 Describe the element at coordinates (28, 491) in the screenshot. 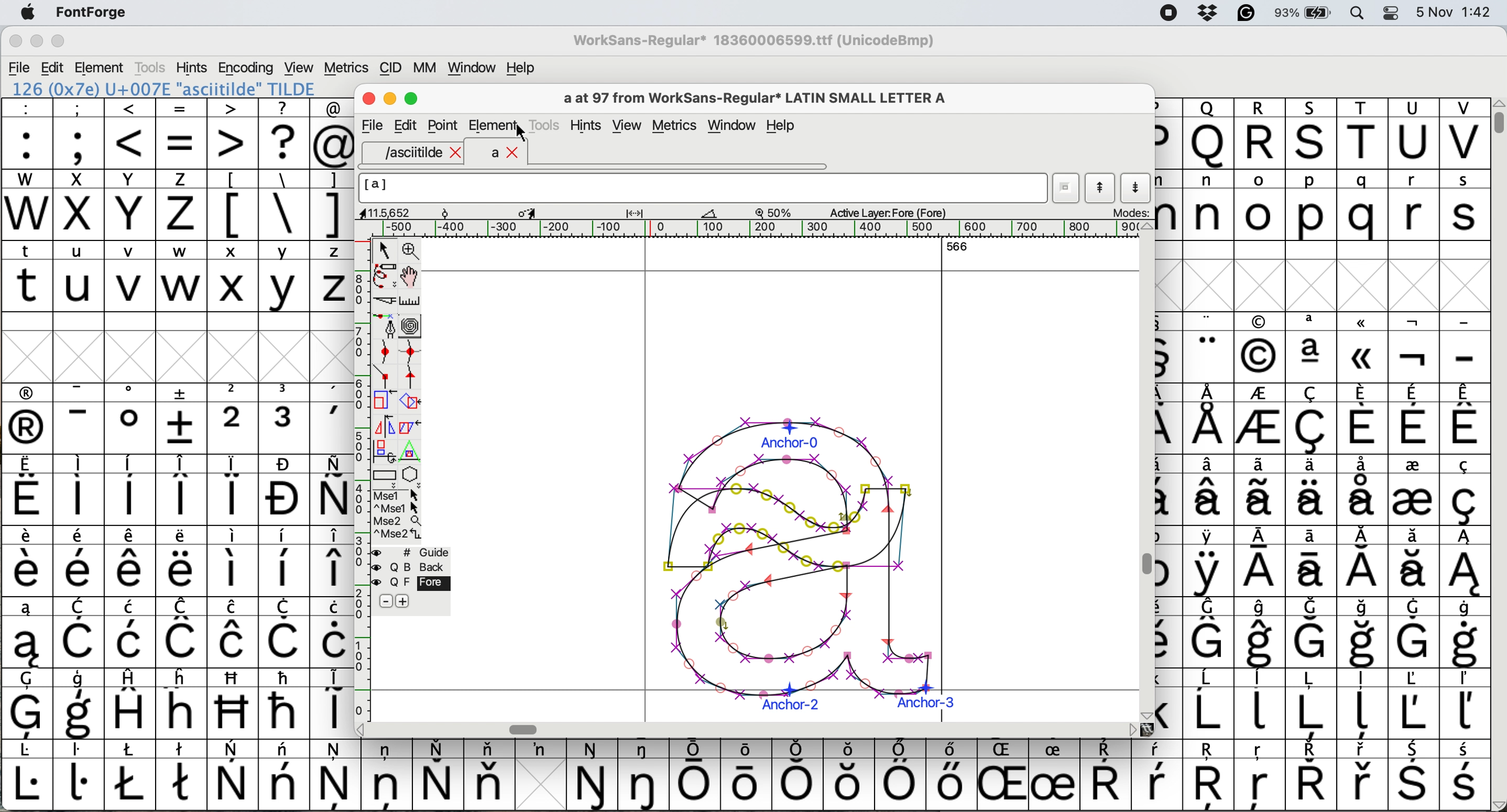

I see `symbol` at that location.